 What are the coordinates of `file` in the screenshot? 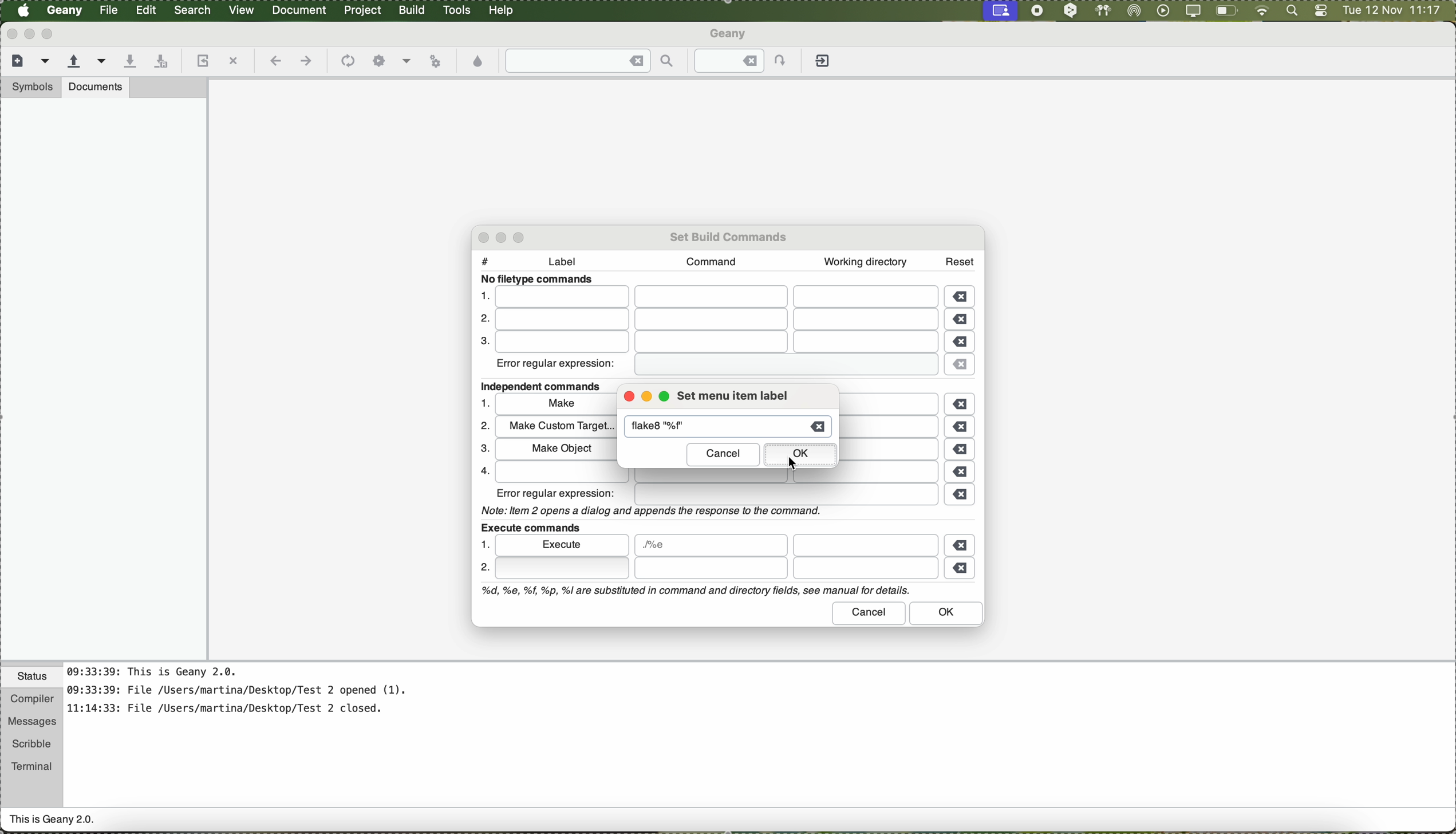 It's located at (782, 365).